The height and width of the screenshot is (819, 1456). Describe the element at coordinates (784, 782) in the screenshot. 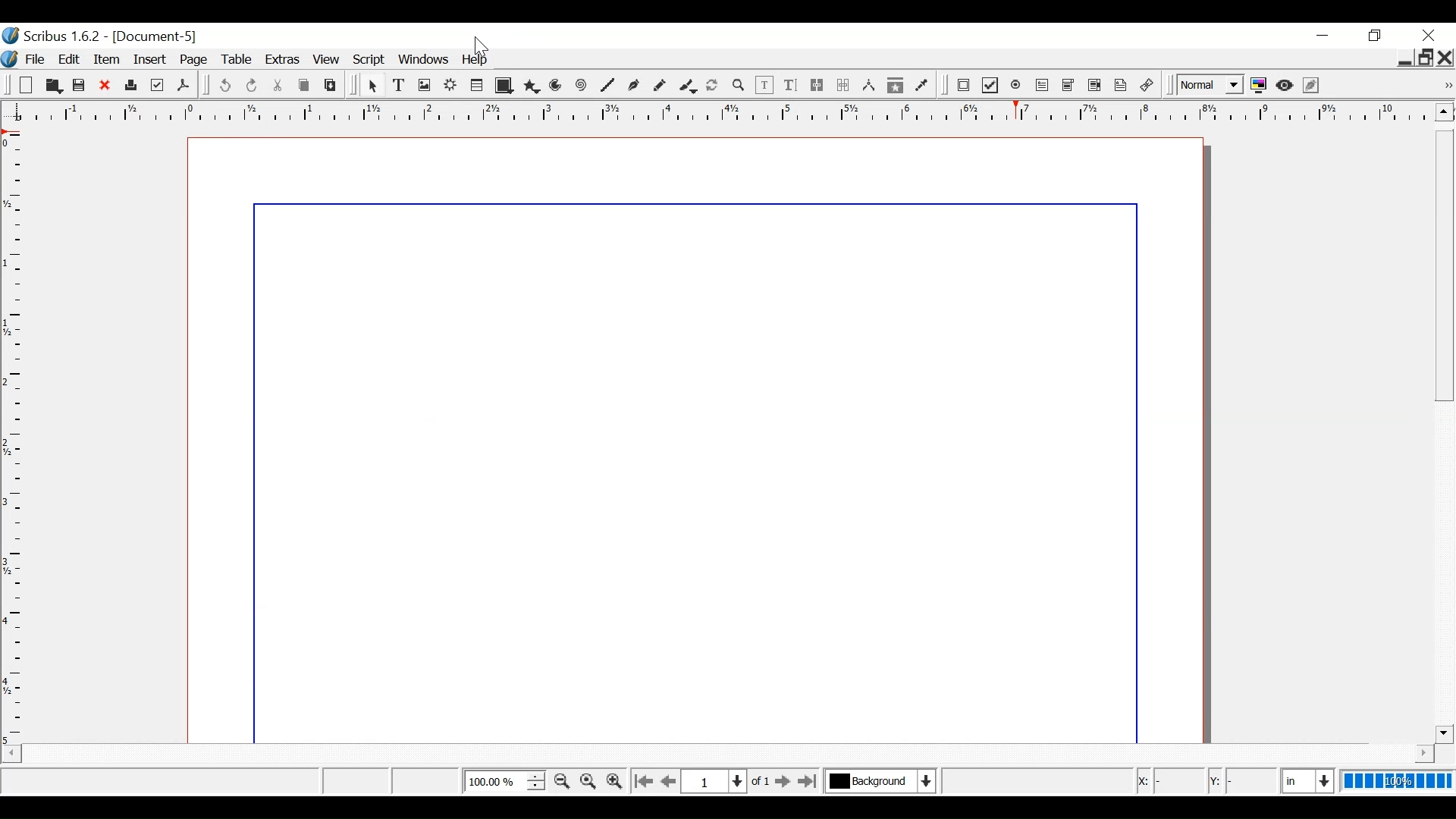

I see `Go to the next page` at that location.